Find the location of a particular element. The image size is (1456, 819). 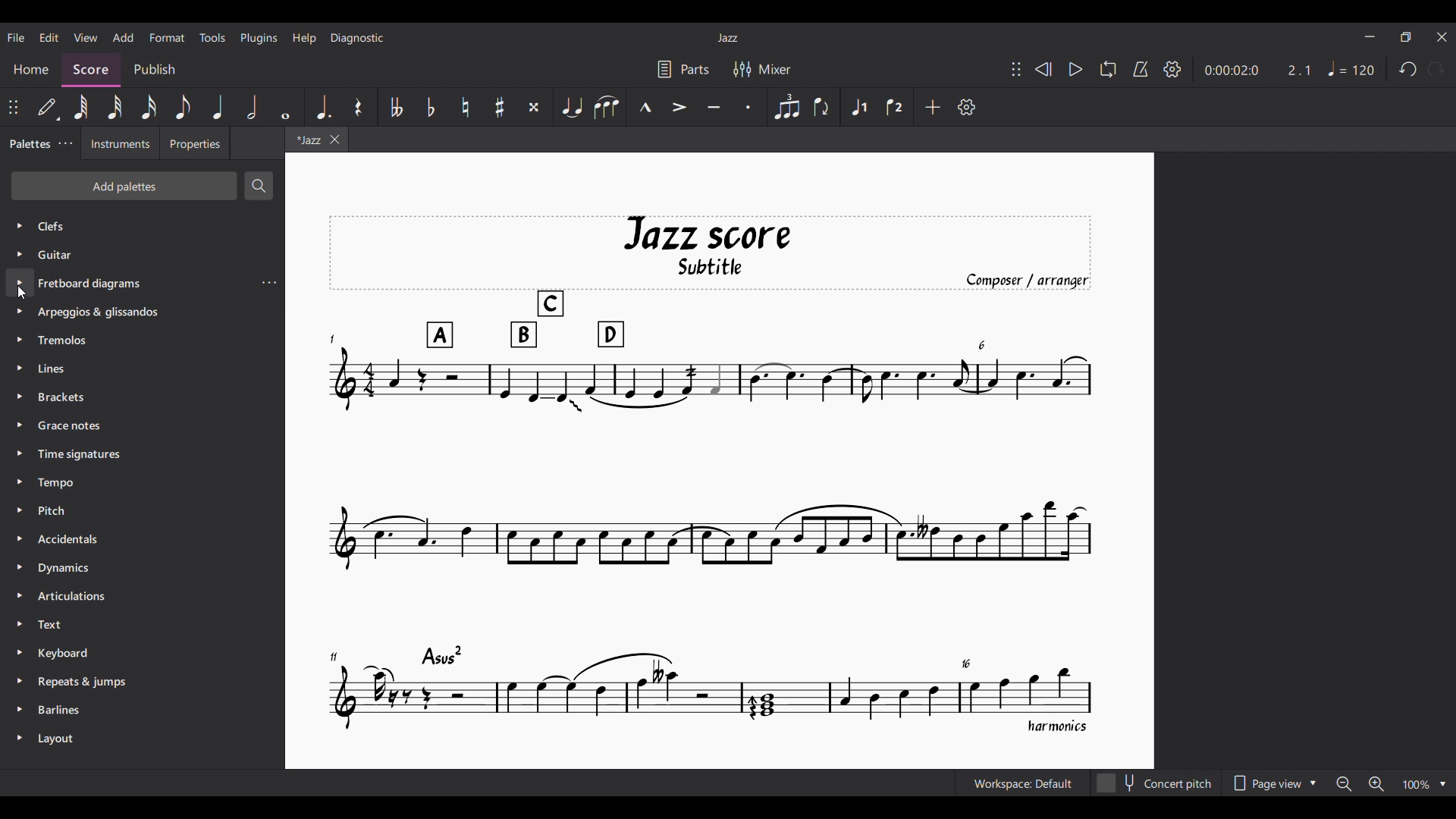

Arpeggios is located at coordinates (101, 313).